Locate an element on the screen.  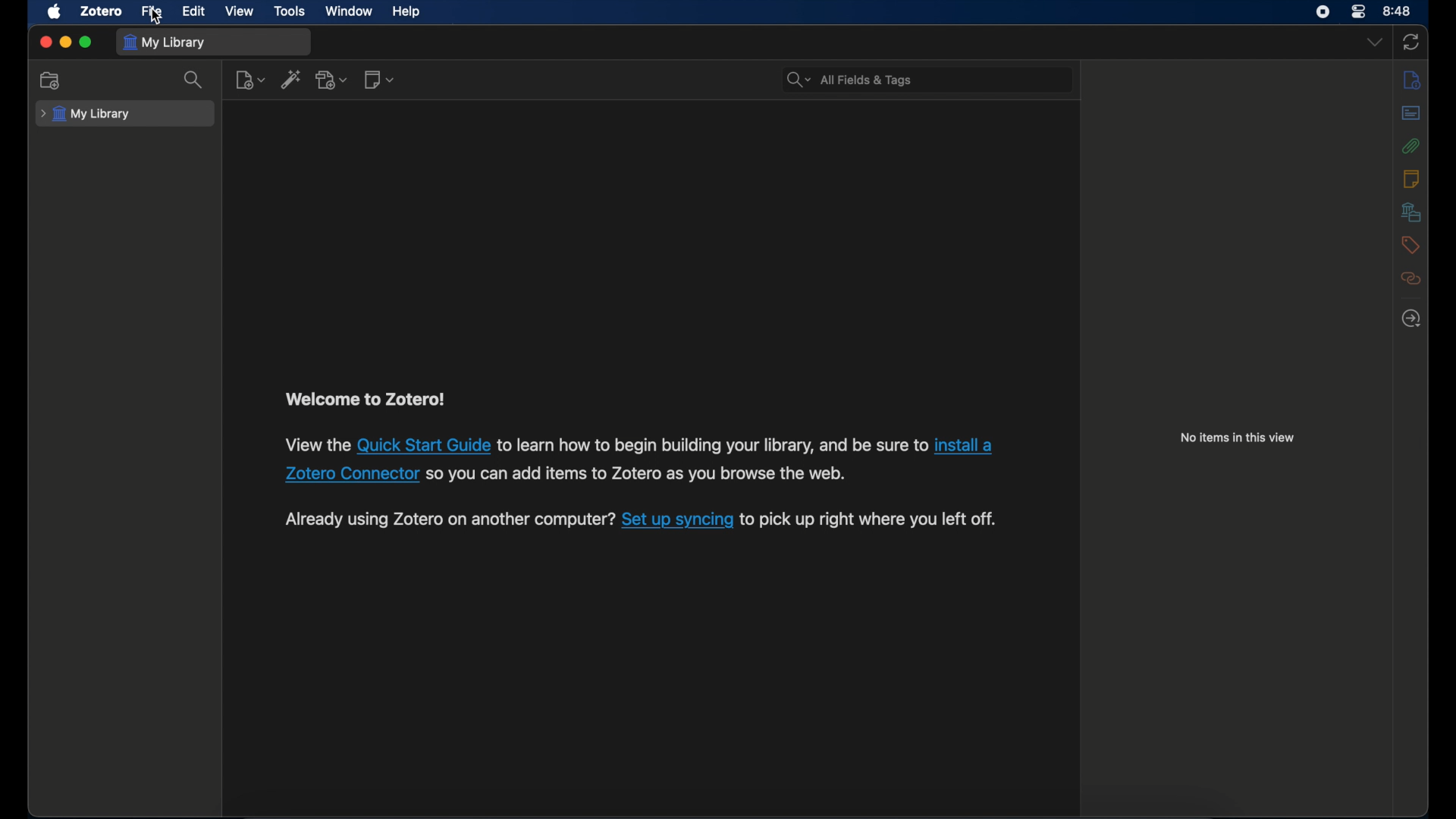
time is located at coordinates (1398, 11).